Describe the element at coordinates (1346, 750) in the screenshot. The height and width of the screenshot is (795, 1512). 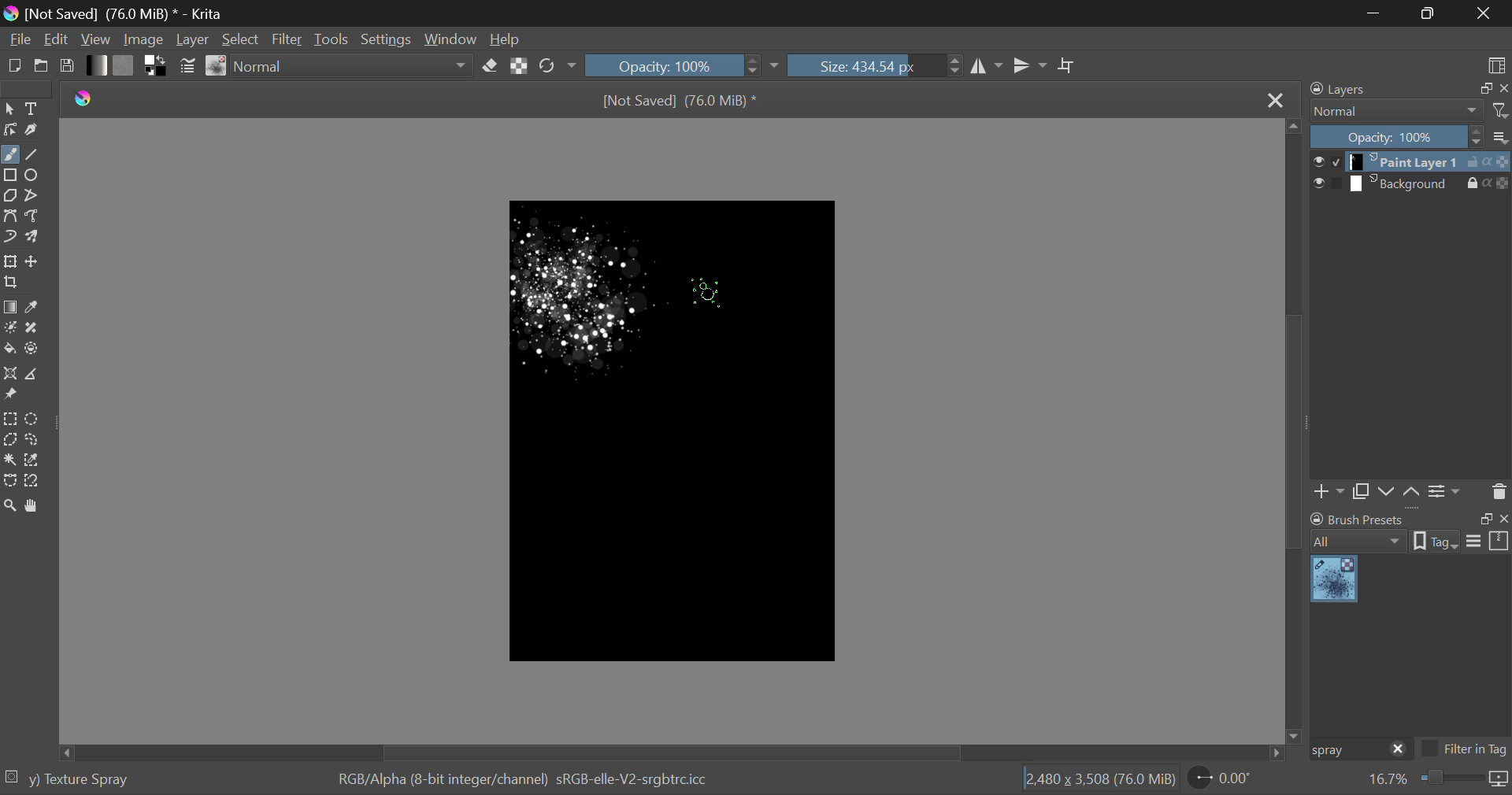
I see `Brush Preset Search: "spray"` at that location.